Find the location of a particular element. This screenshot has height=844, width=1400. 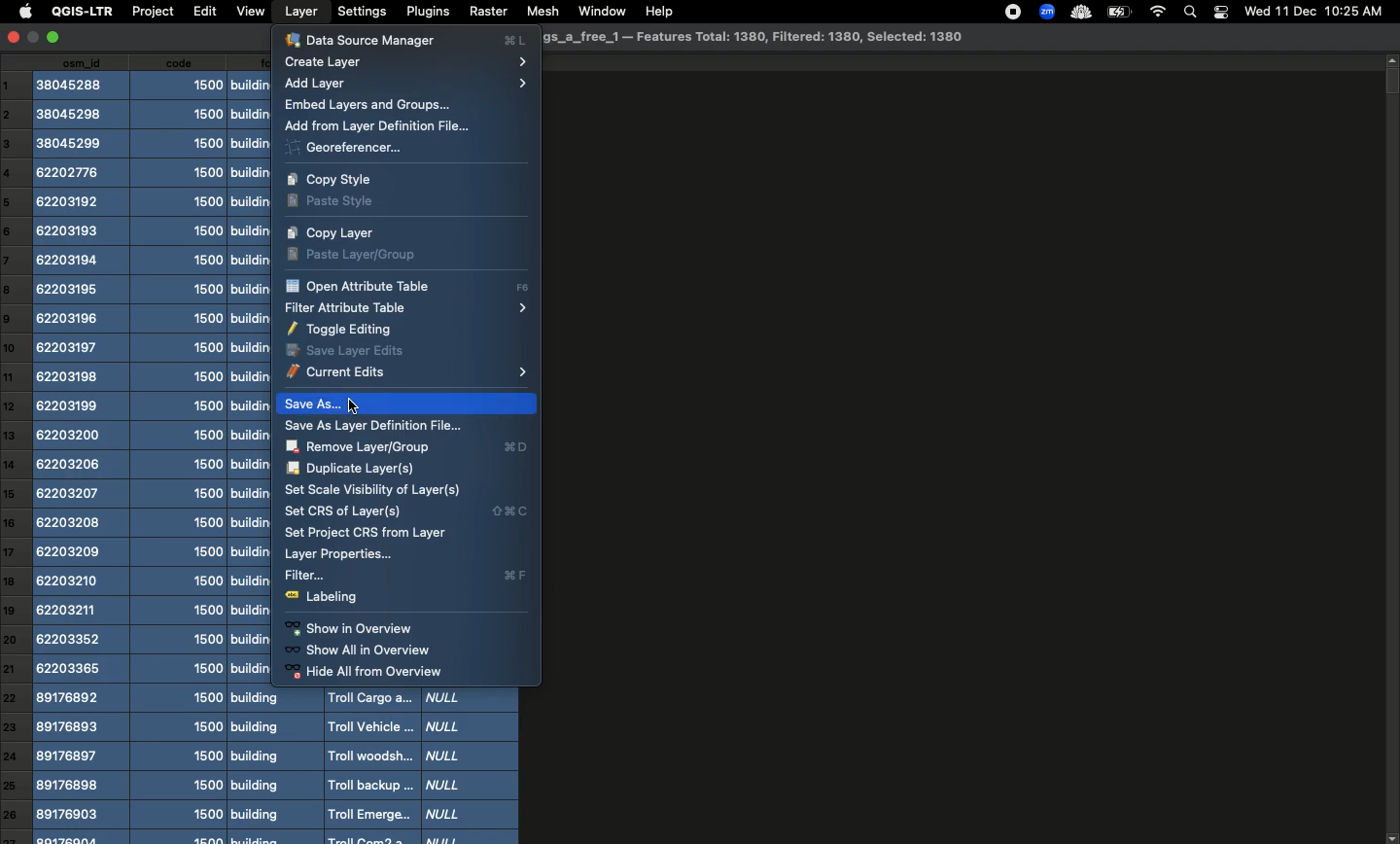

recording is located at coordinates (1008, 12).